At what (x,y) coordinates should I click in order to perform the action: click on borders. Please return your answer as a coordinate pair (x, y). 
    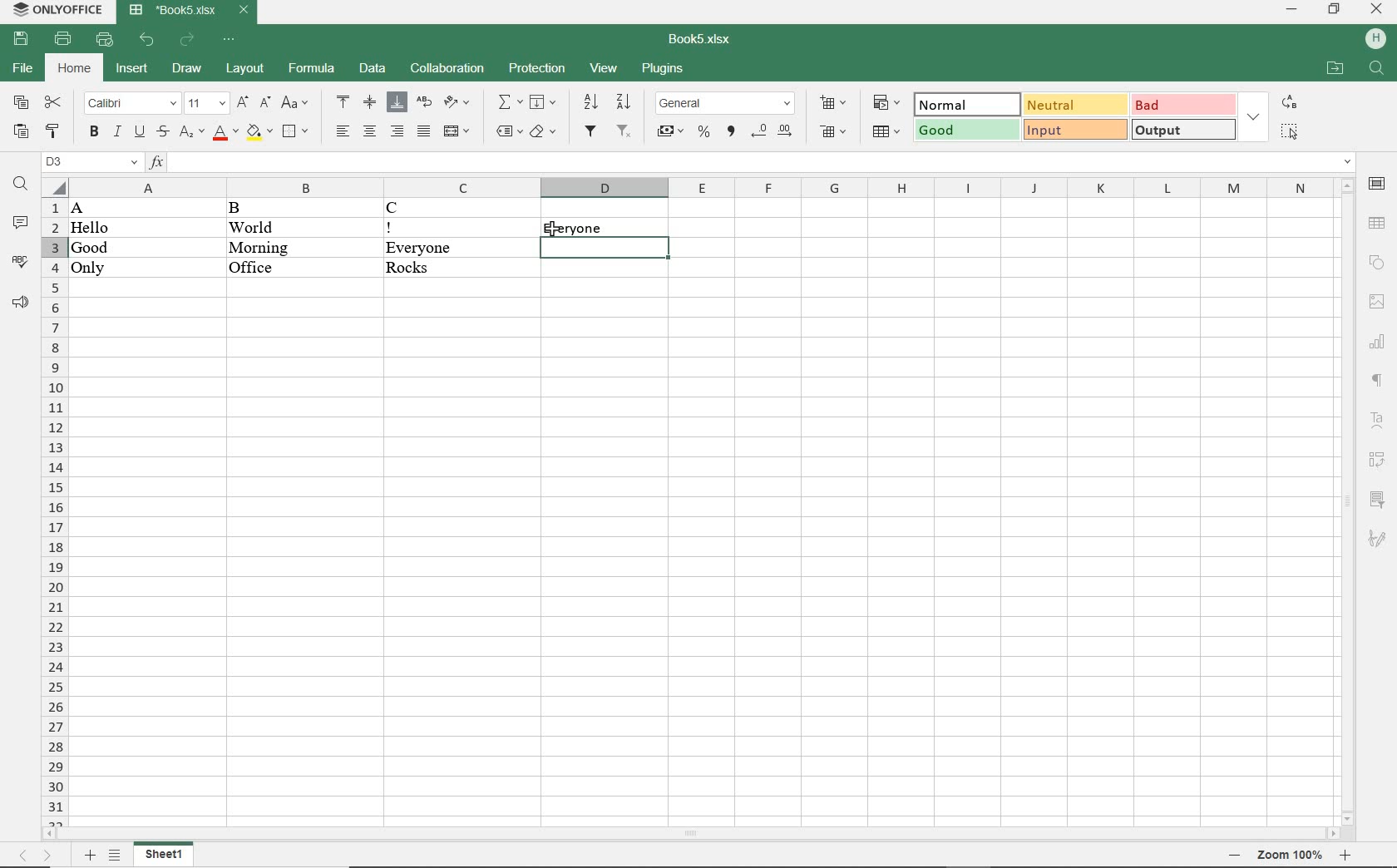
    Looking at the image, I should click on (298, 132).